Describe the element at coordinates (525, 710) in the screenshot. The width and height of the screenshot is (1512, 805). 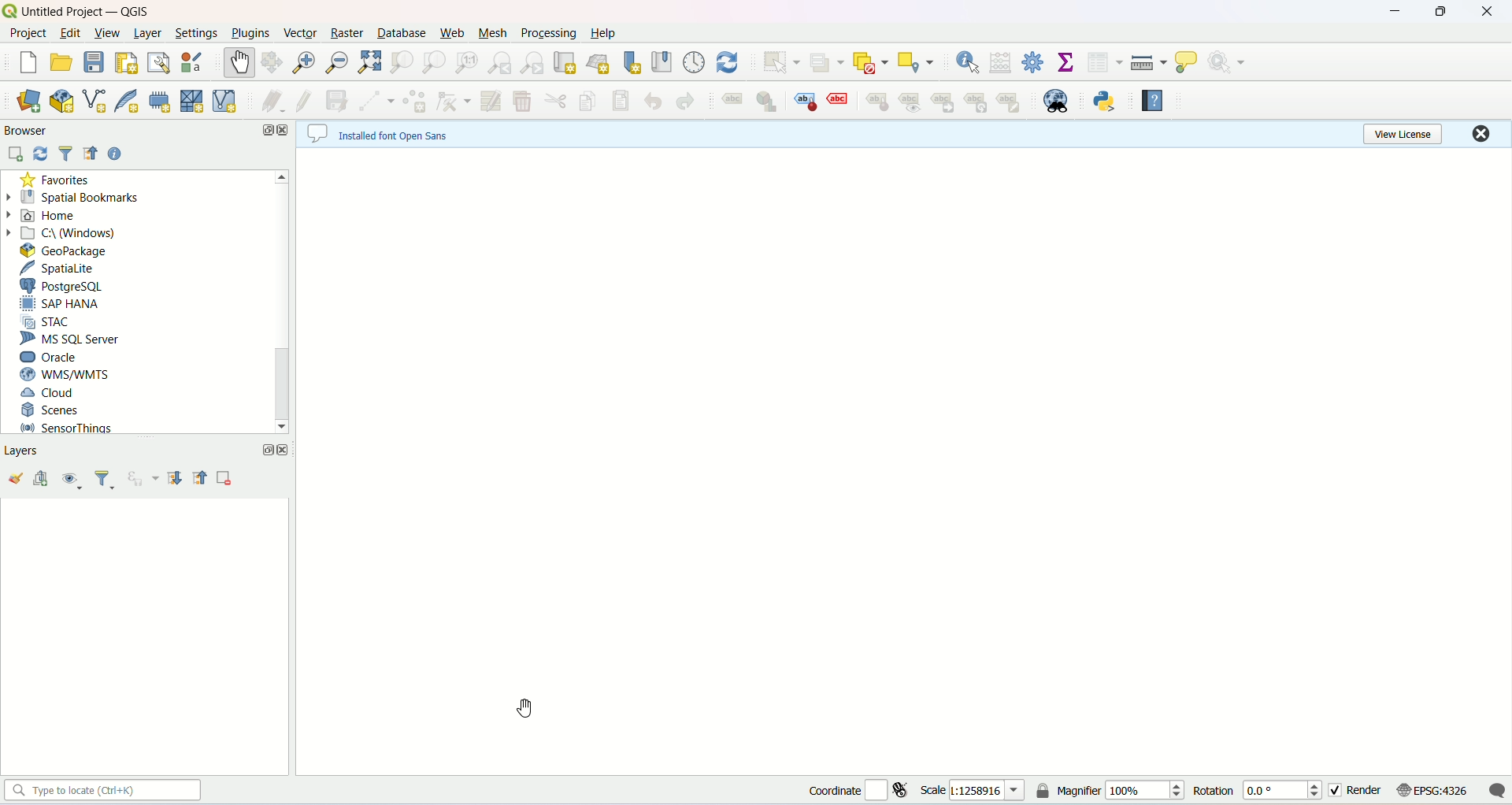
I see `cursor` at that location.